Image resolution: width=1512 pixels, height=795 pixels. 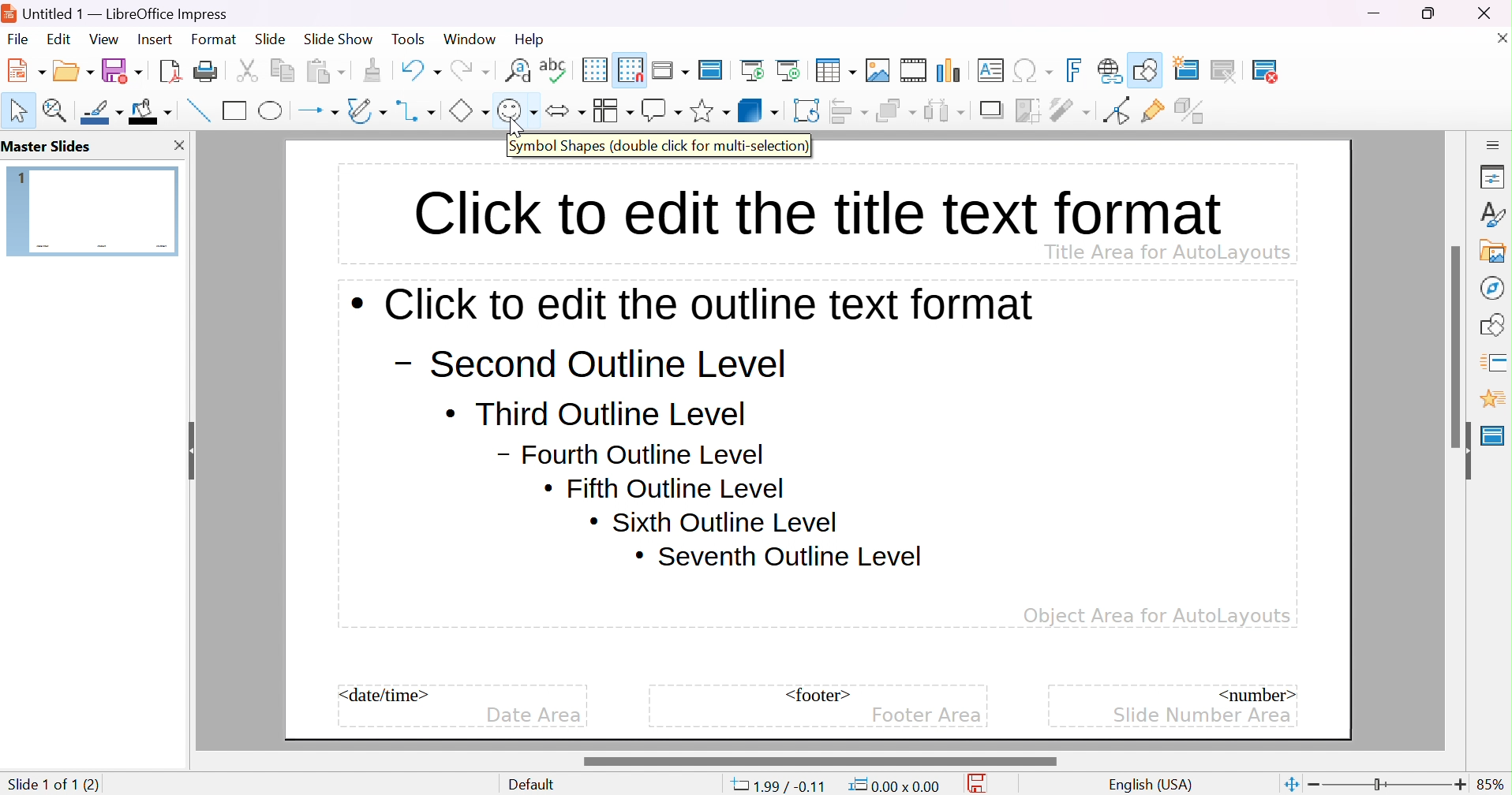 What do you see at coordinates (912, 70) in the screenshot?
I see `insert audio or video` at bounding box center [912, 70].